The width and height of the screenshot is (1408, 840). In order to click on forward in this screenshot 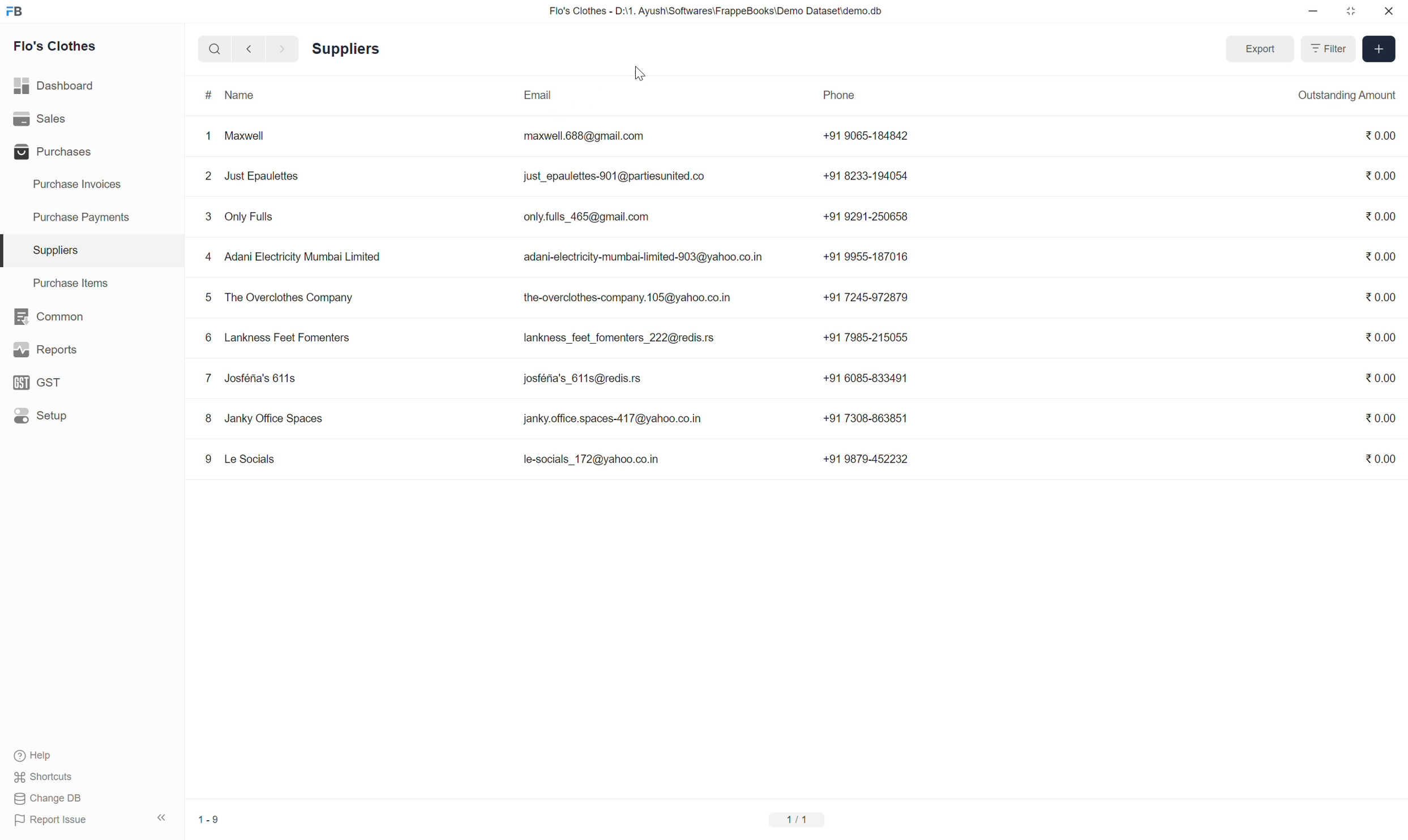, I will do `click(283, 49)`.